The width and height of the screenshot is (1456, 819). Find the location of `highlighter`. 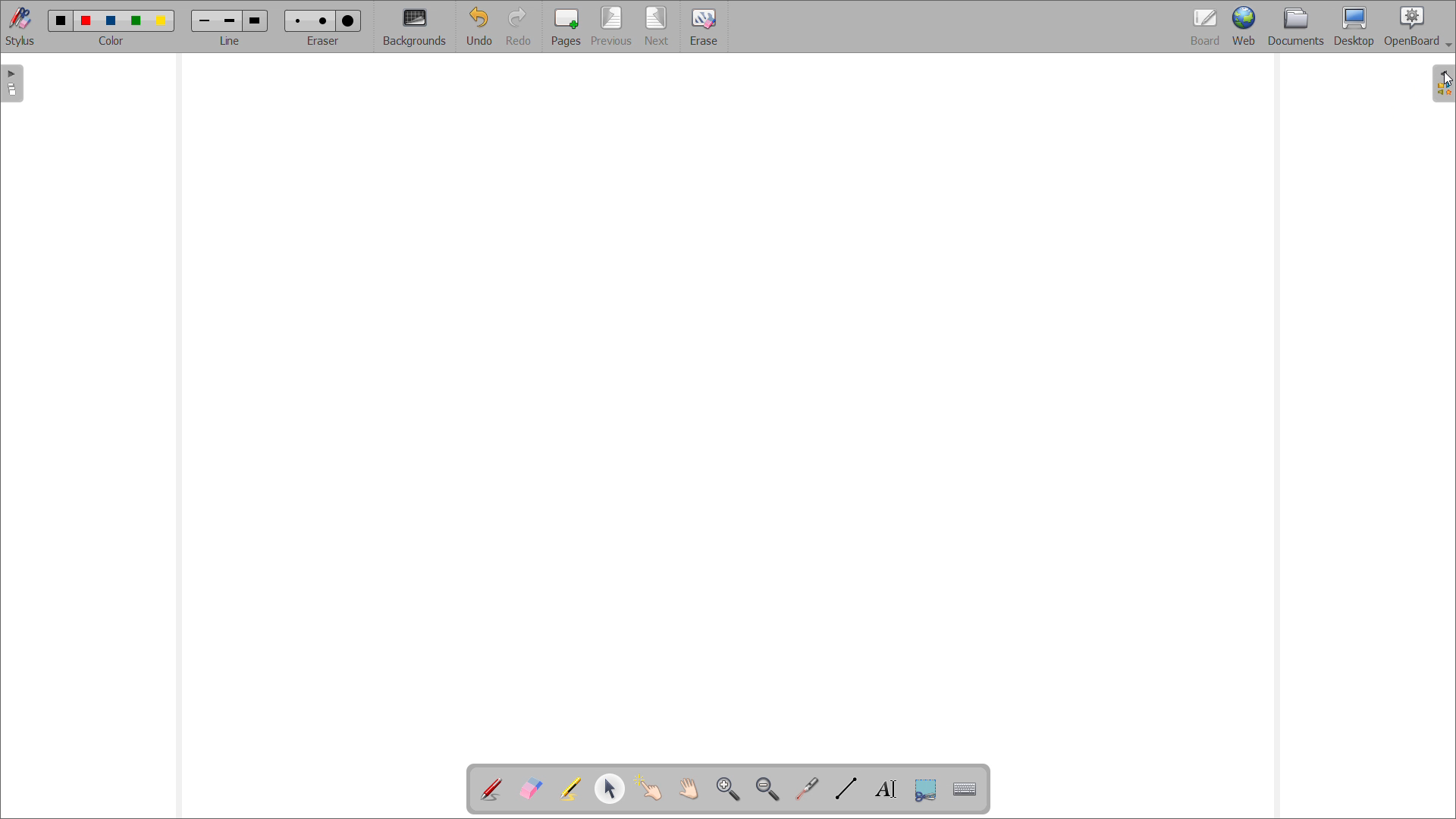

highlighter is located at coordinates (570, 789).